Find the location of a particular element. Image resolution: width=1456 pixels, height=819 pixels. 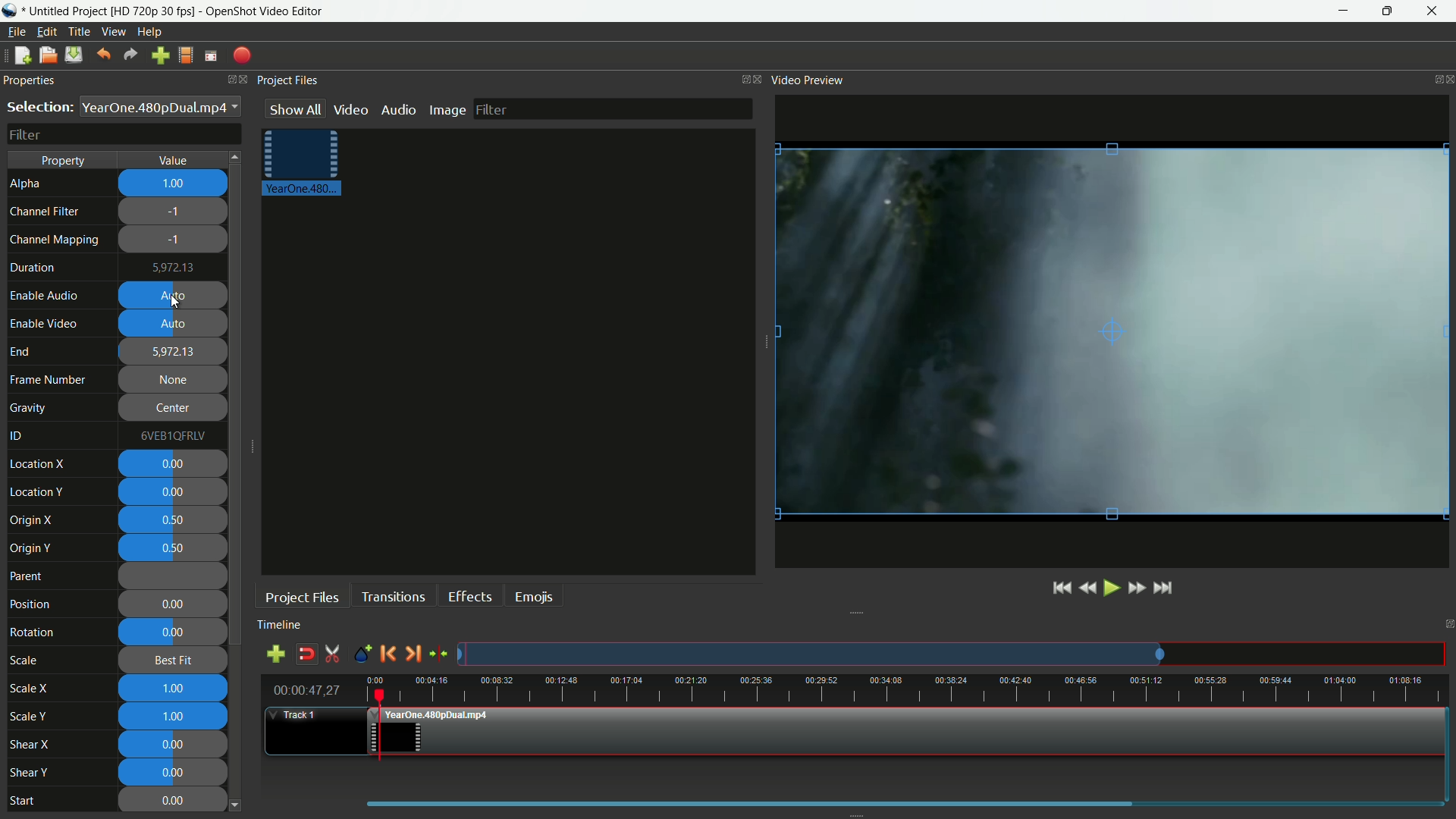

edit menu is located at coordinates (45, 33).